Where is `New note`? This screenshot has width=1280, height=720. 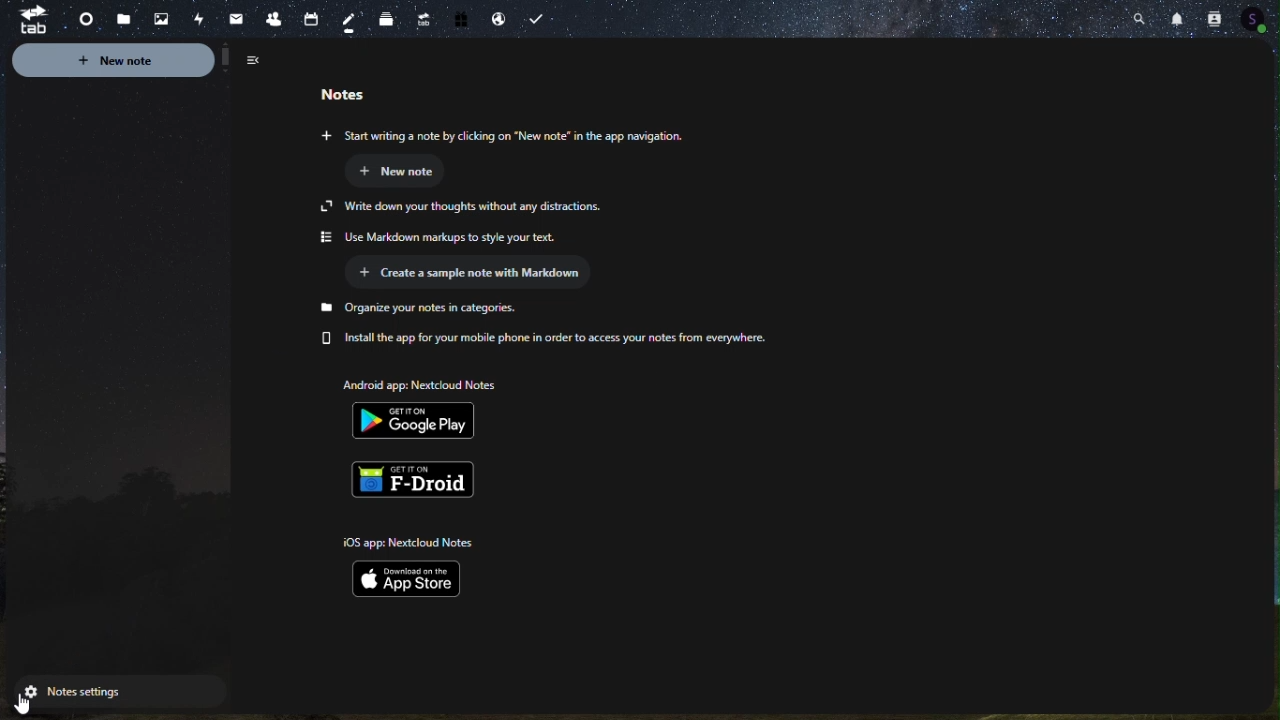
New note is located at coordinates (413, 171).